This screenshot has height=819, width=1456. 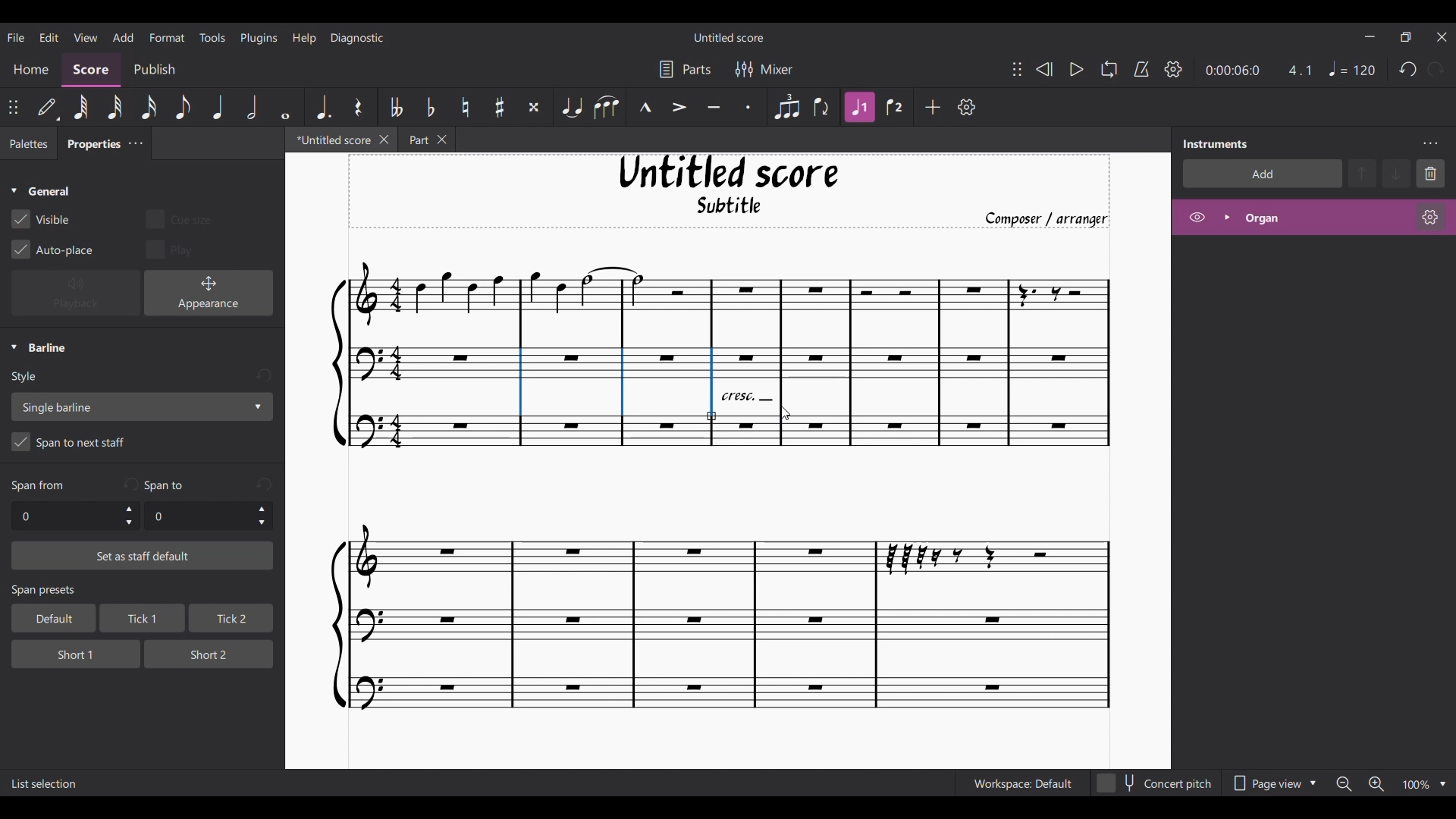 What do you see at coordinates (686, 69) in the screenshot?
I see `Parts settings` at bounding box center [686, 69].